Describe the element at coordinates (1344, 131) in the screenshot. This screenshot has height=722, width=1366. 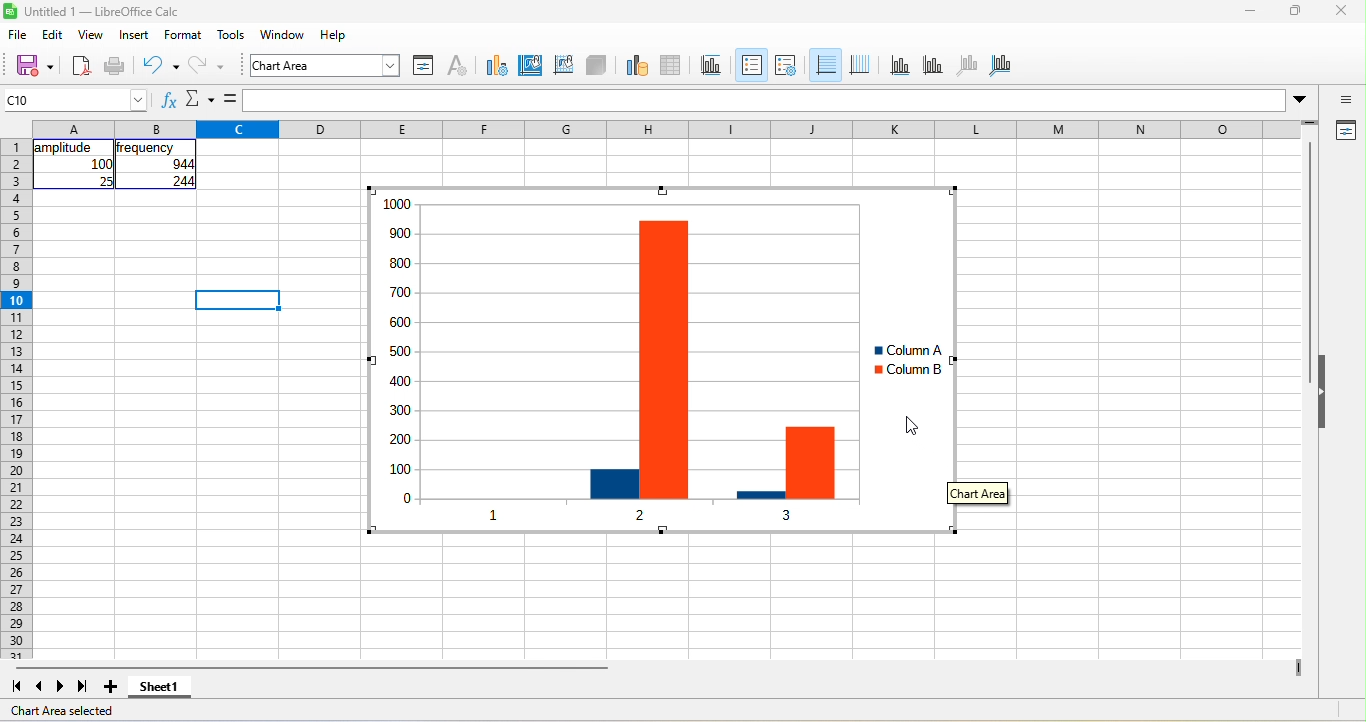
I see `properties` at that location.